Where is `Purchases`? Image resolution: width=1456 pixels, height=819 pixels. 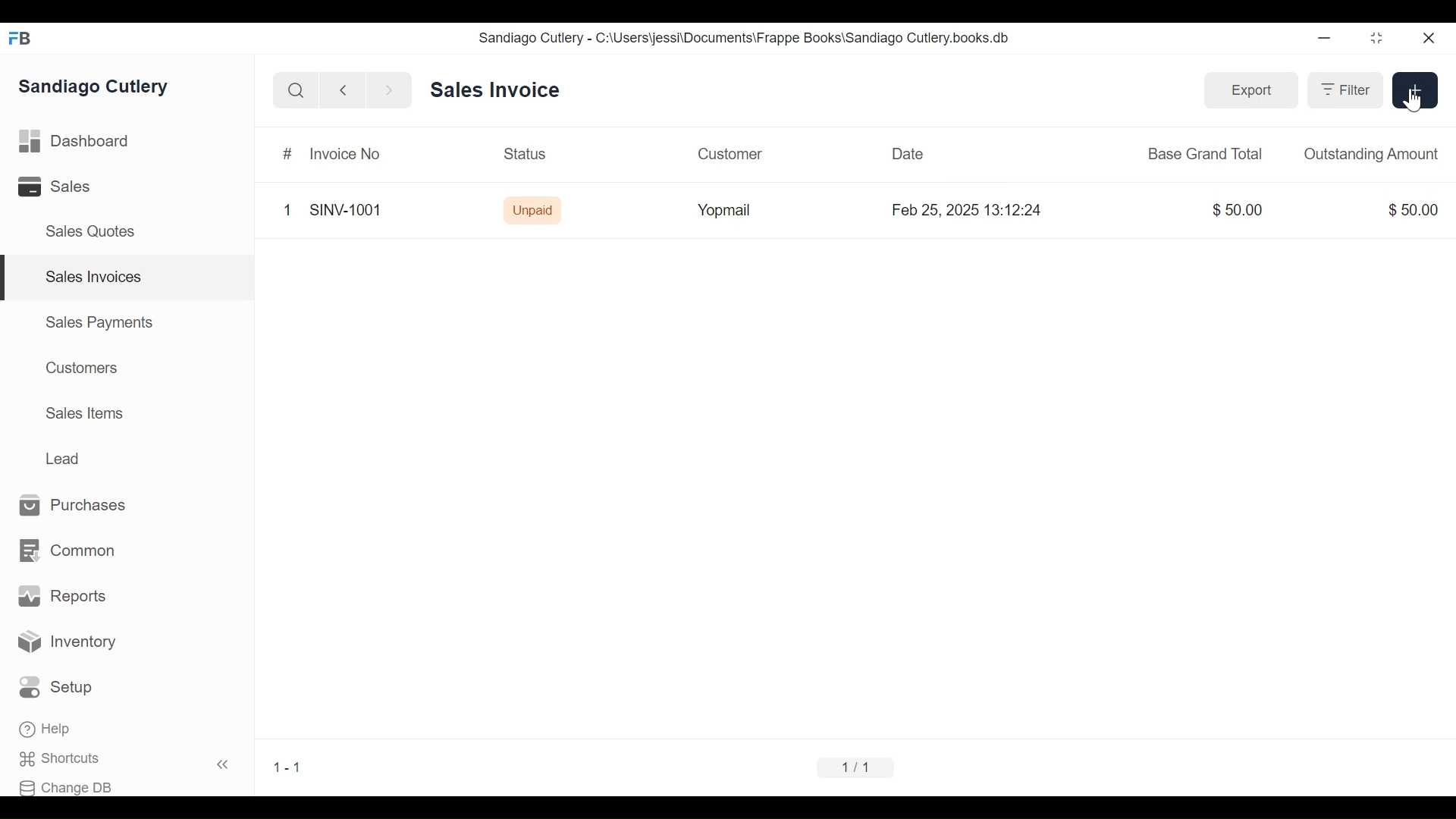 Purchases is located at coordinates (80, 506).